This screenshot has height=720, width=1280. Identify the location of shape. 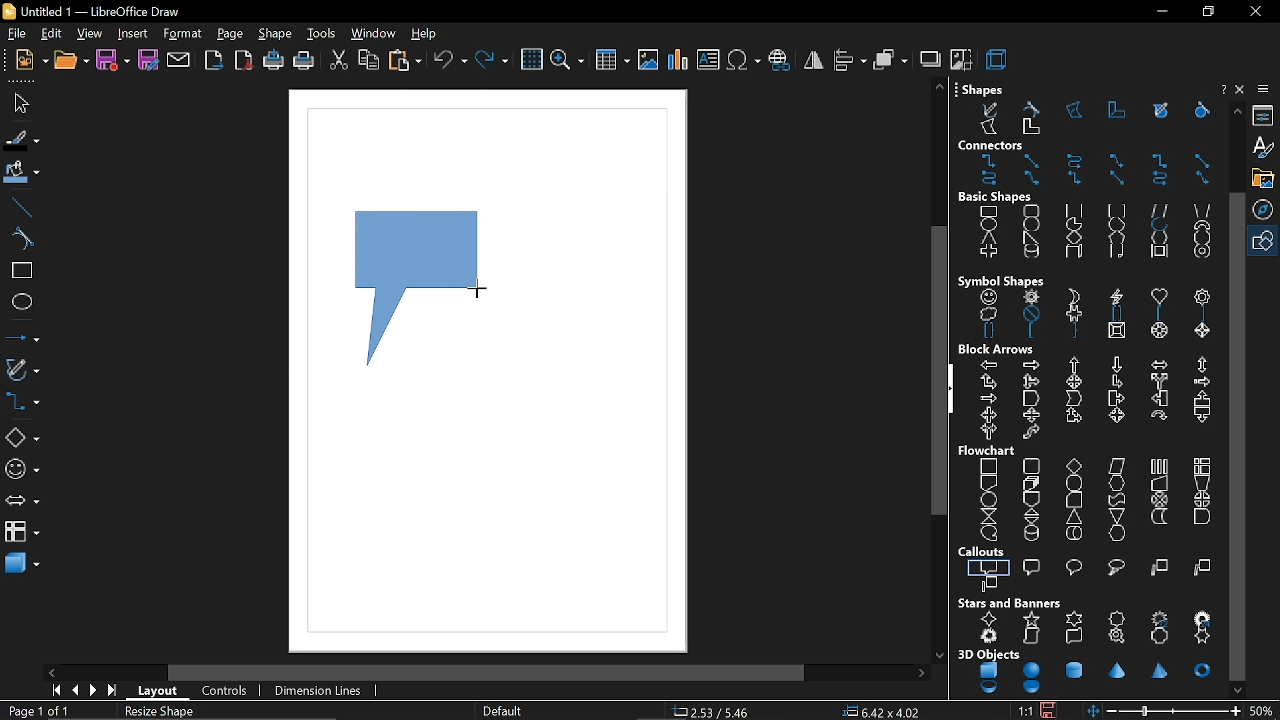
(277, 35).